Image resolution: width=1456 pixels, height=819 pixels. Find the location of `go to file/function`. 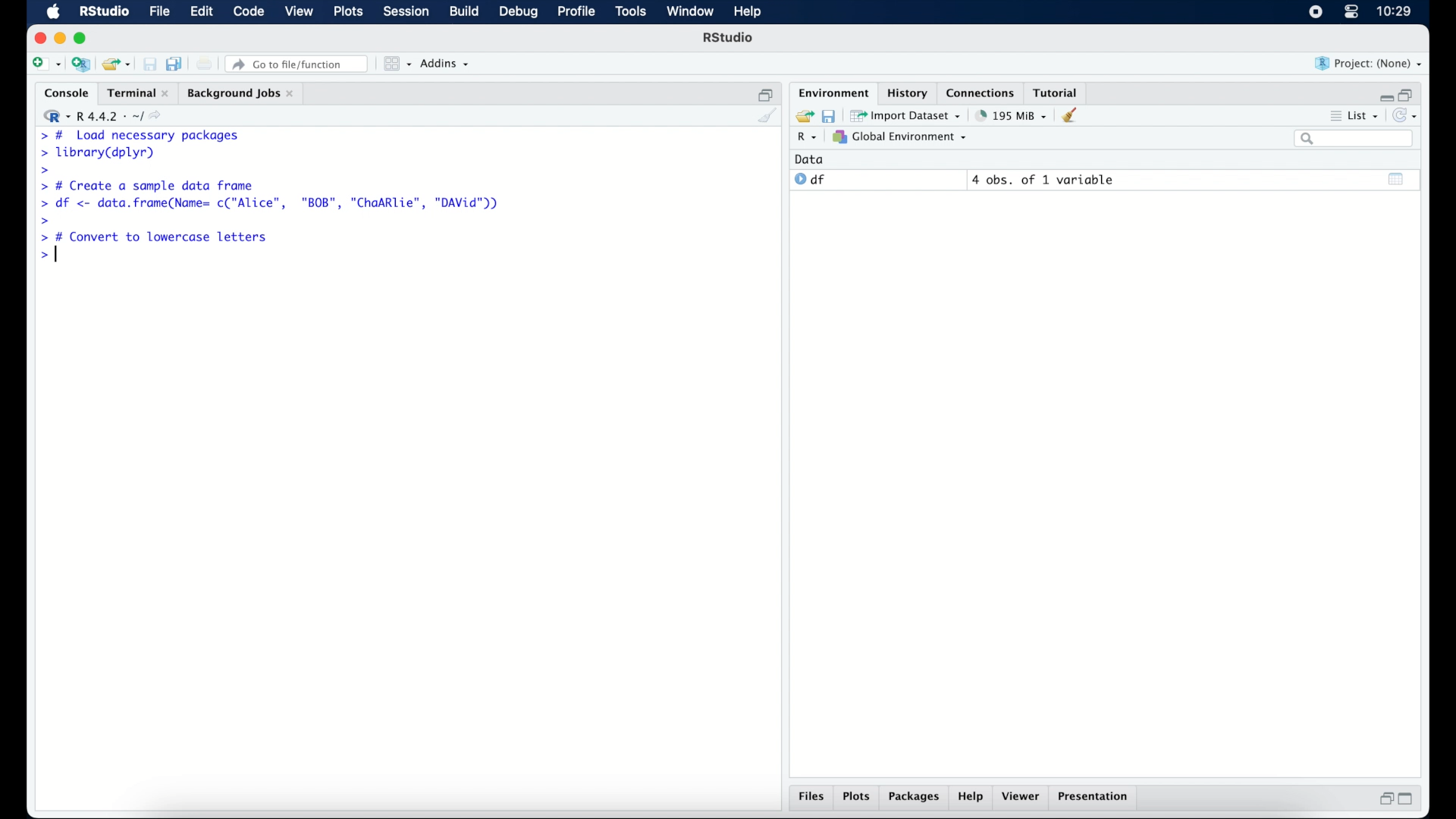

go to file/function is located at coordinates (297, 64).